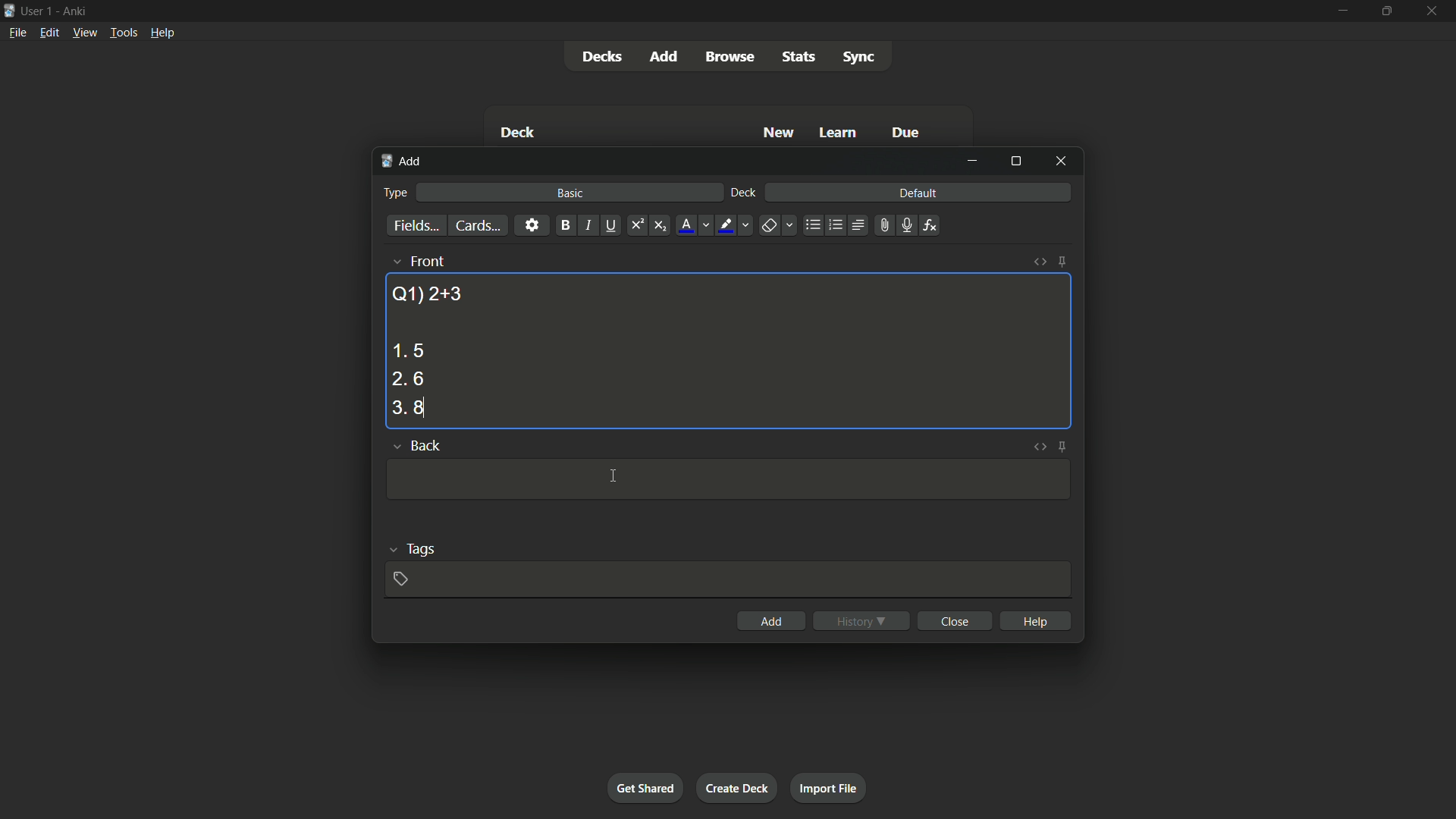 This screenshot has width=1456, height=819. I want to click on help, so click(1037, 620).